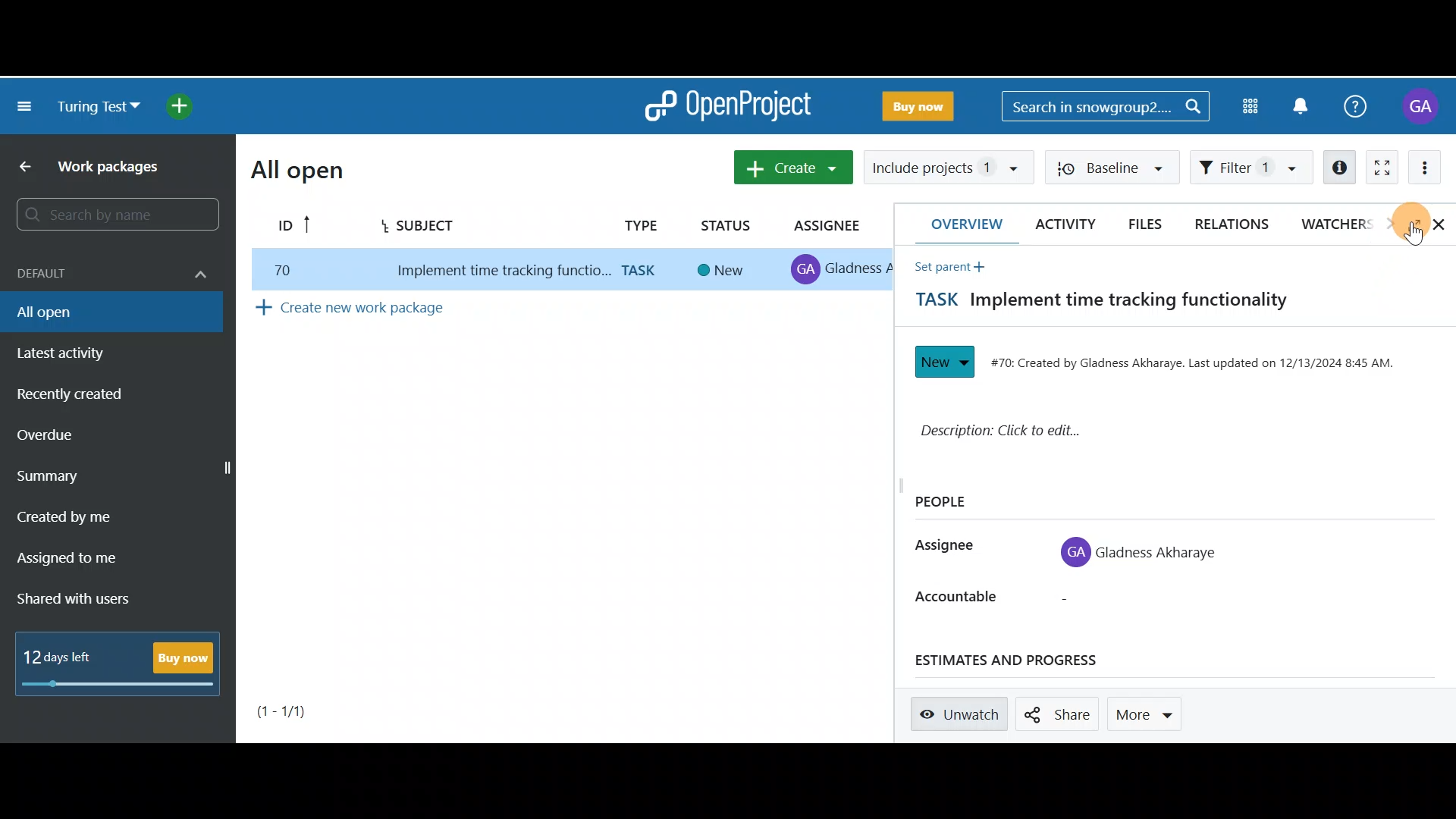 The width and height of the screenshot is (1456, 819). Describe the element at coordinates (108, 265) in the screenshot. I see `Default` at that location.